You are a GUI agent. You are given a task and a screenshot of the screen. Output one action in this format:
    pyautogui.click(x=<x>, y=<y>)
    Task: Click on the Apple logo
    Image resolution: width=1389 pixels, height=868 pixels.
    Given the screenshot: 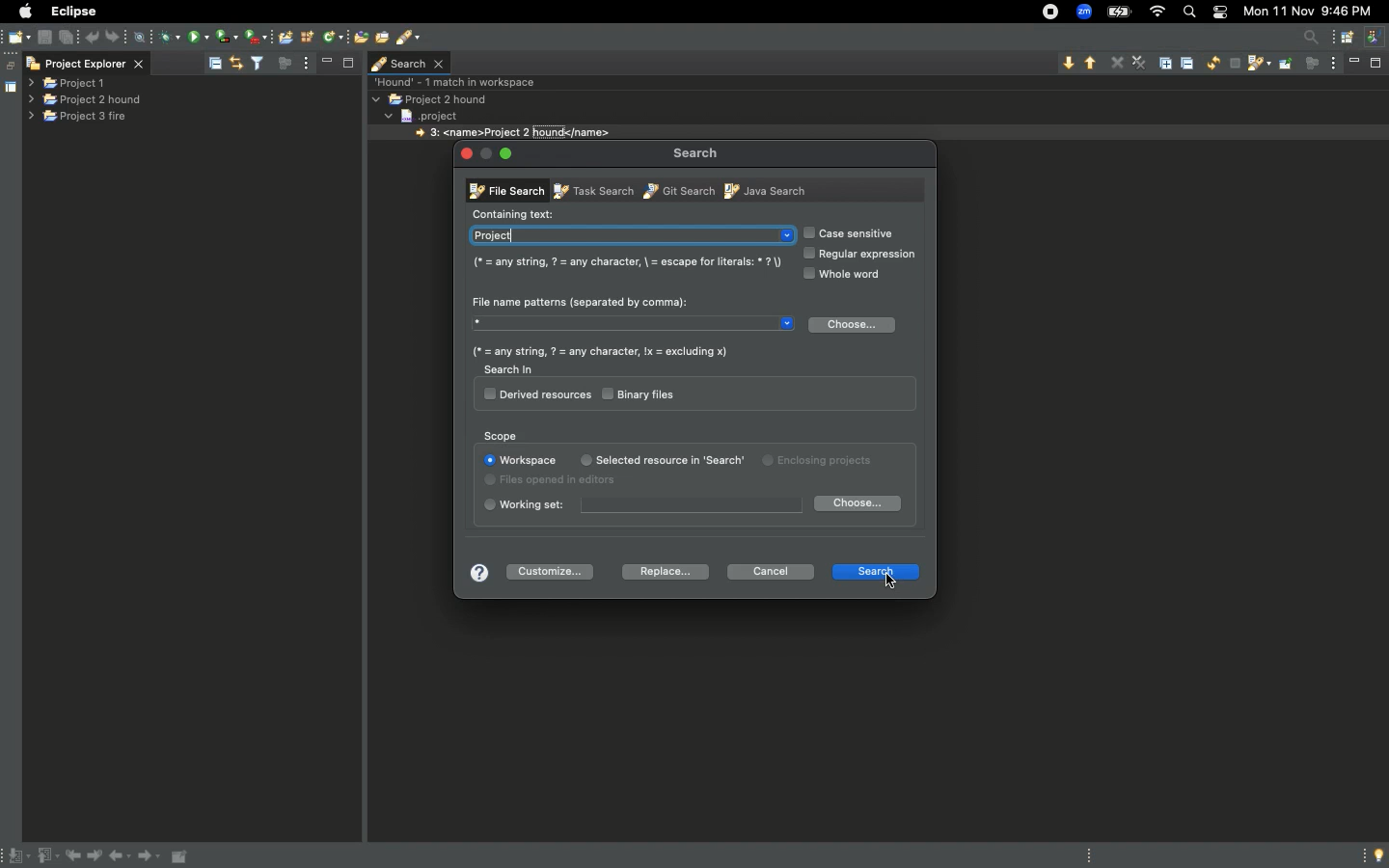 What is the action you would take?
    pyautogui.click(x=26, y=11)
    